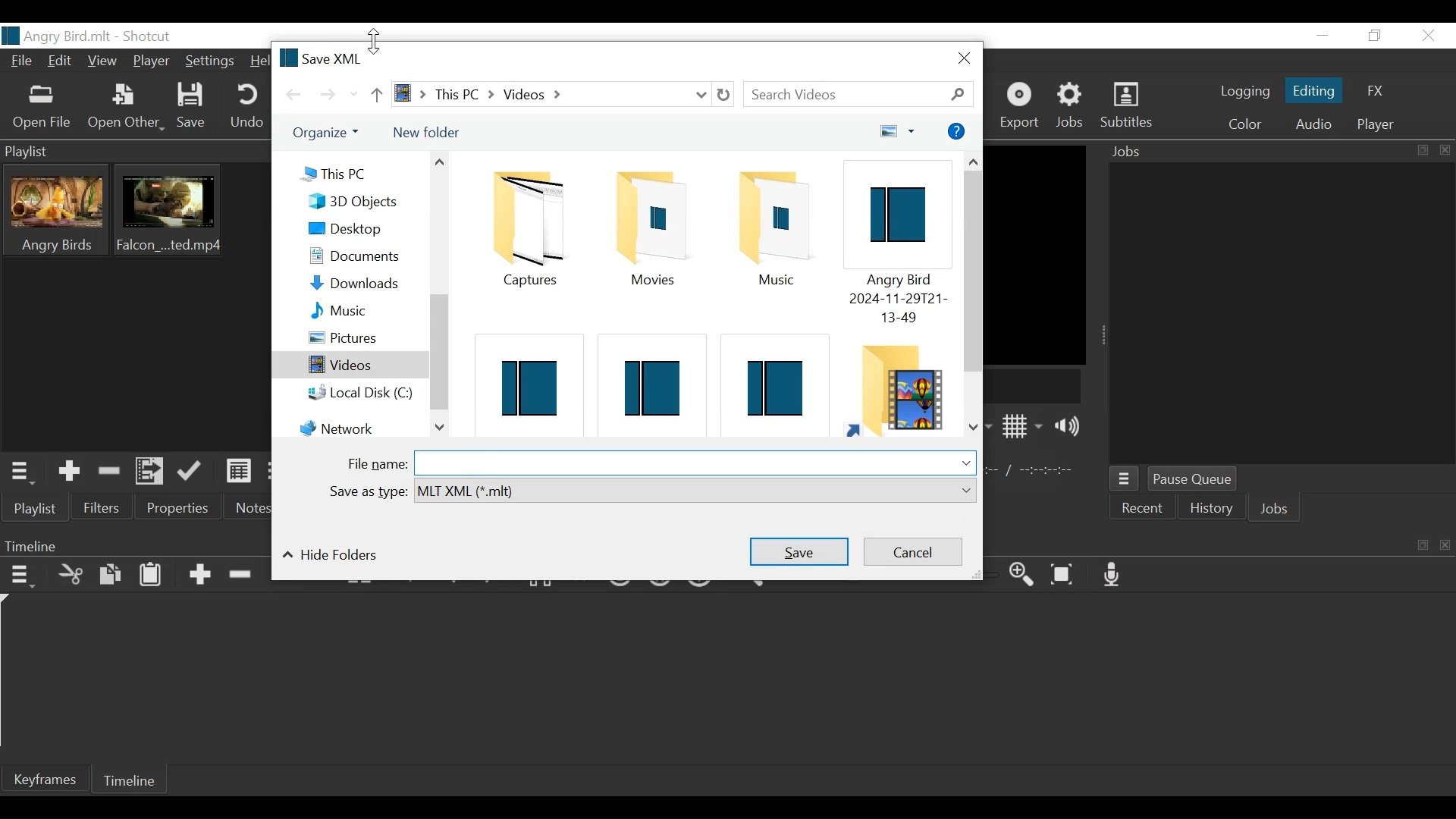 The height and width of the screenshot is (819, 1456). What do you see at coordinates (1213, 510) in the screenshot?
I see `History` at bounding box center [1213, 510].